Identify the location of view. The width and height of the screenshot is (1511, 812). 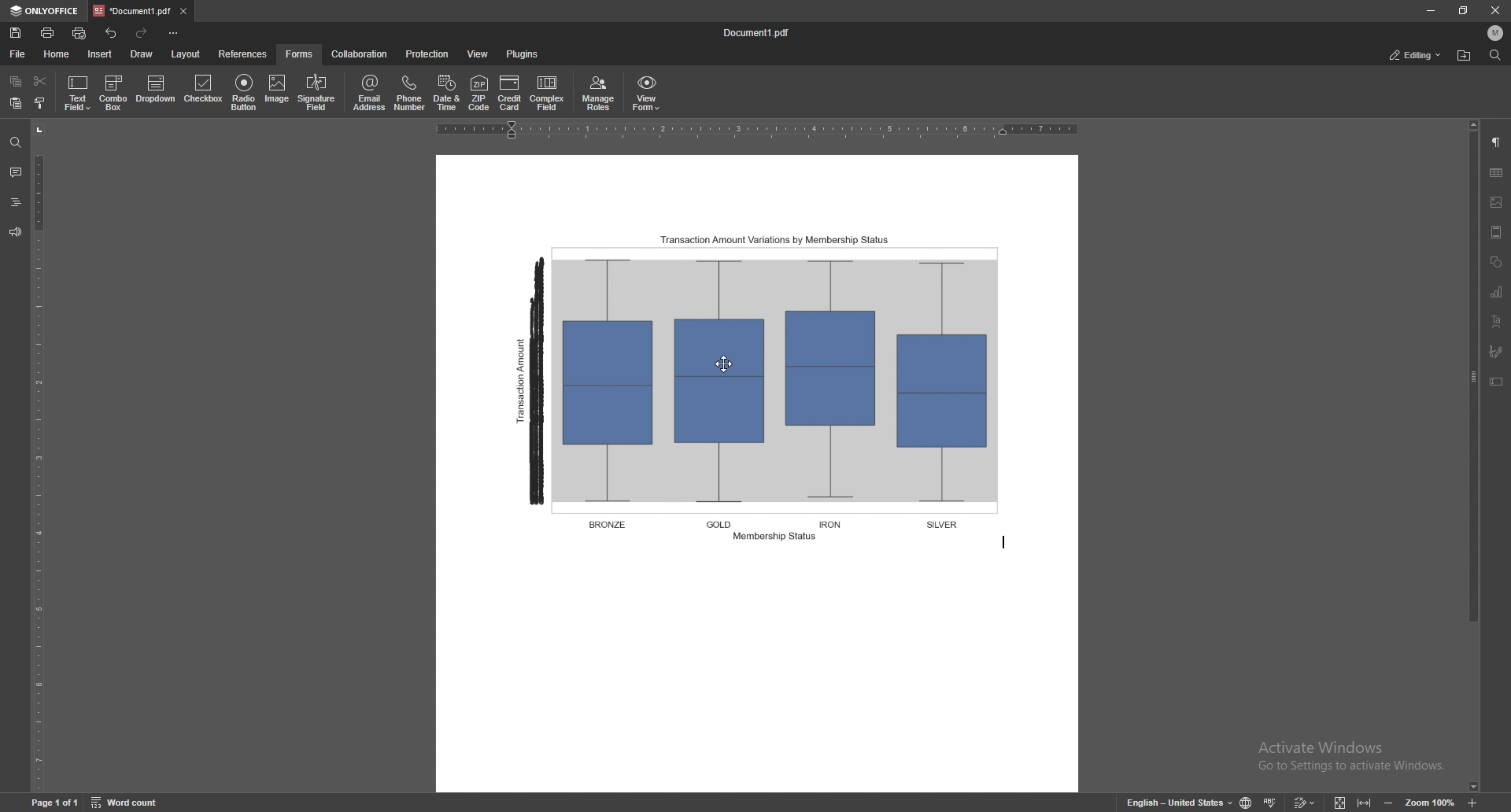
(478, 54).